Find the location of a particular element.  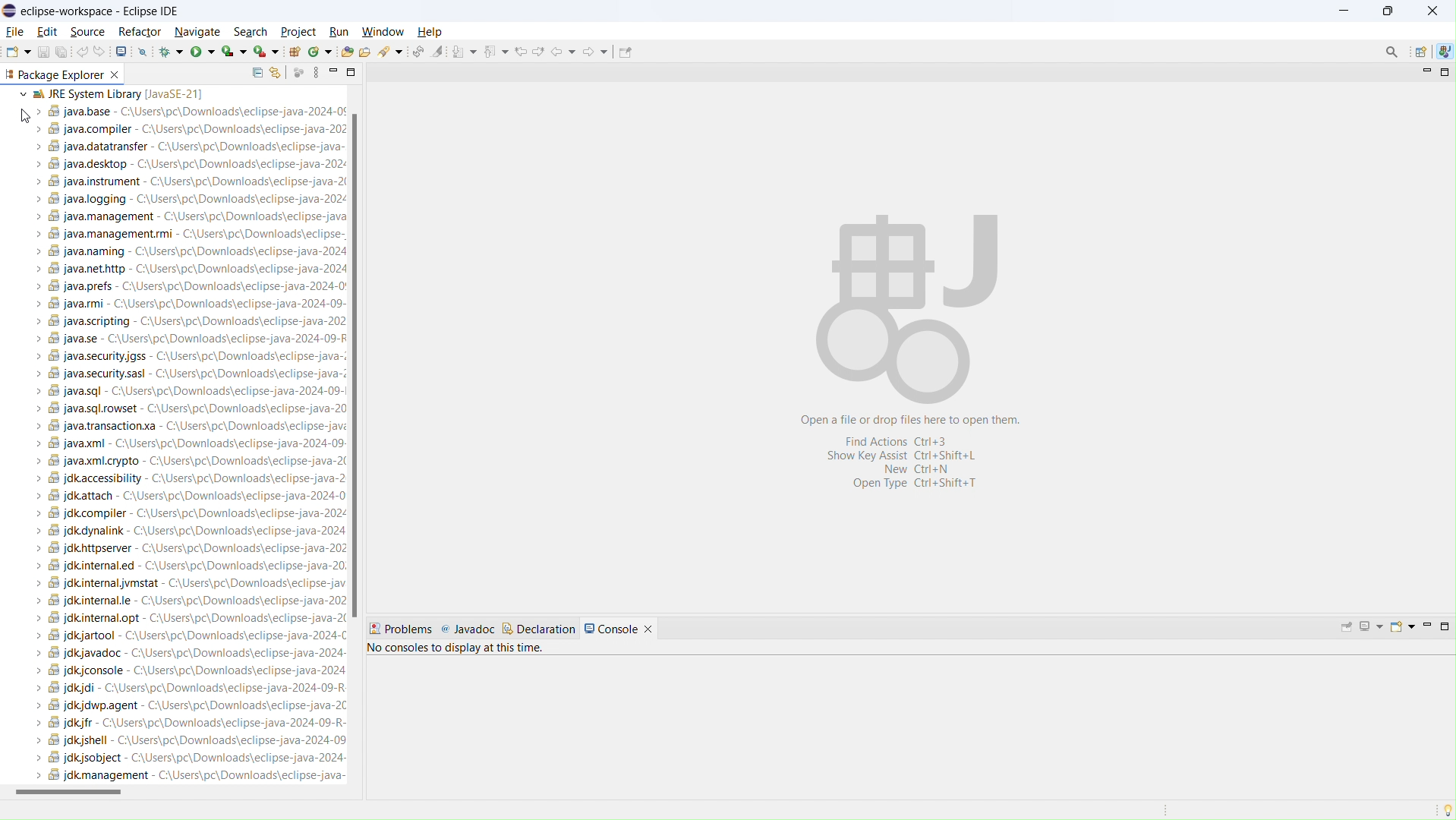

open perspective is located at coordinates (1420, 52).